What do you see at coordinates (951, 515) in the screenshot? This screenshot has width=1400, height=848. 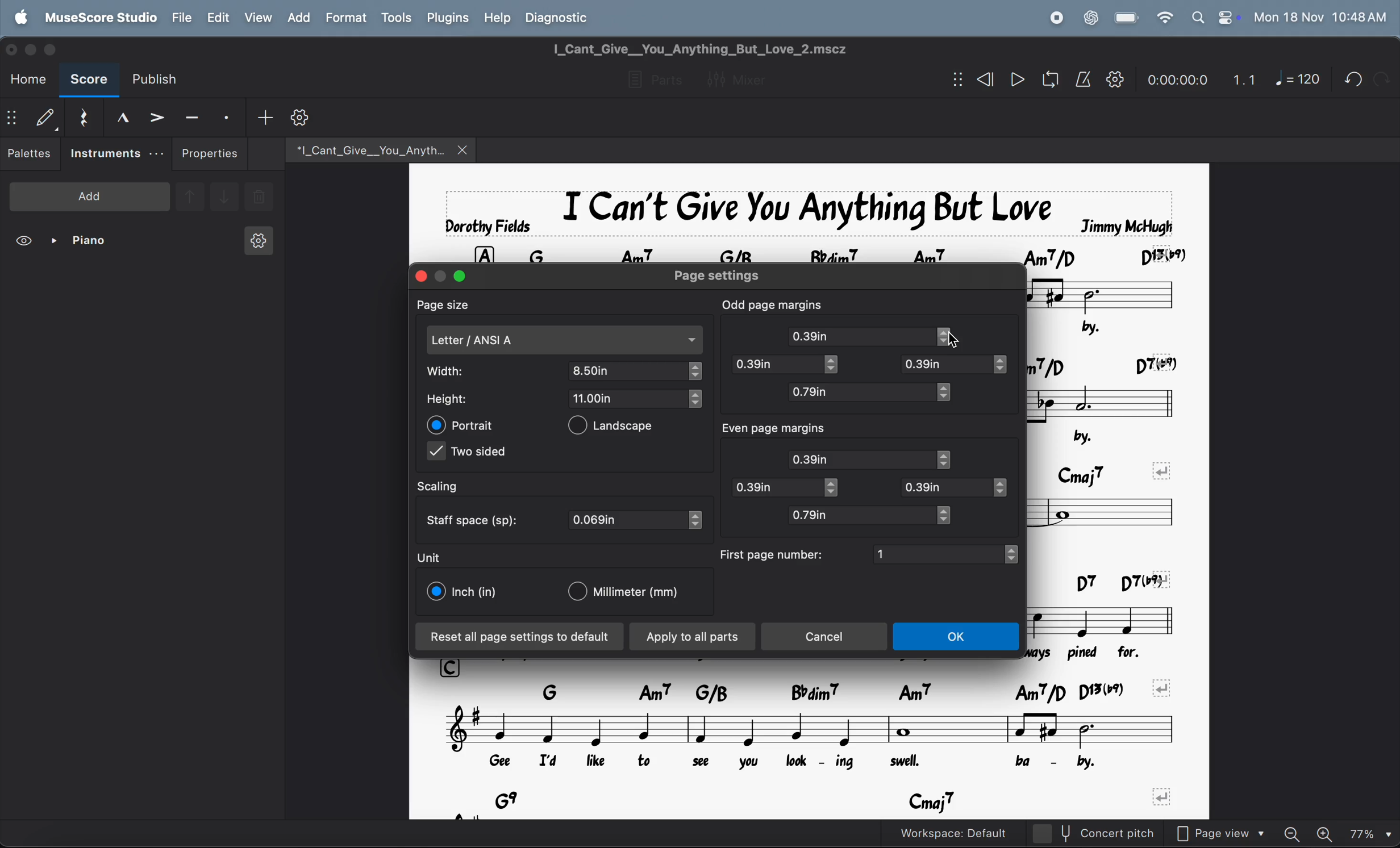 I see `toggle` at bounding box center [951, 515].